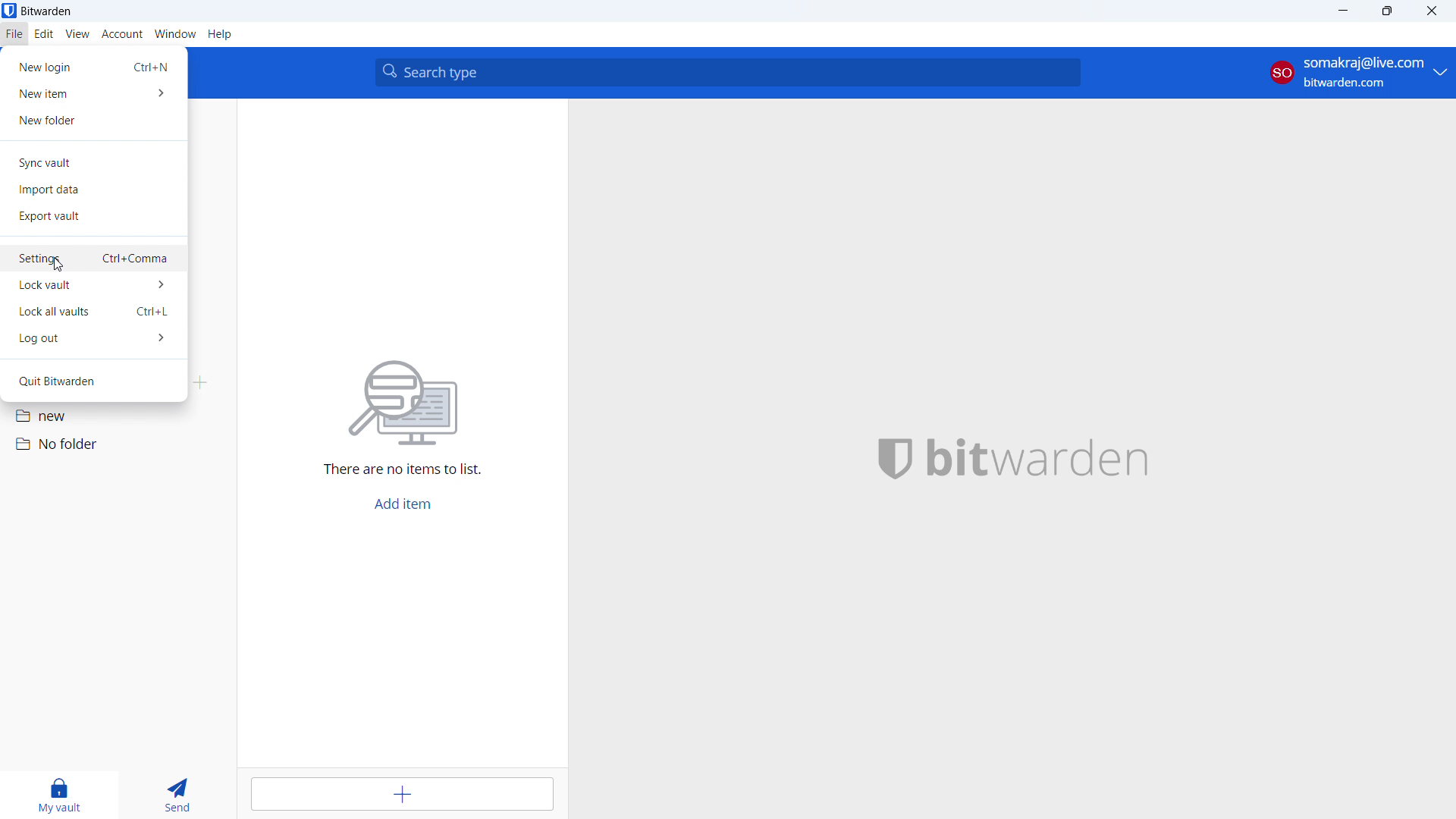 The width and height of the screenshot is (1456, 819). Describe the element at coordinates (1359, 72) in the screenshot. I see `account` at that location.